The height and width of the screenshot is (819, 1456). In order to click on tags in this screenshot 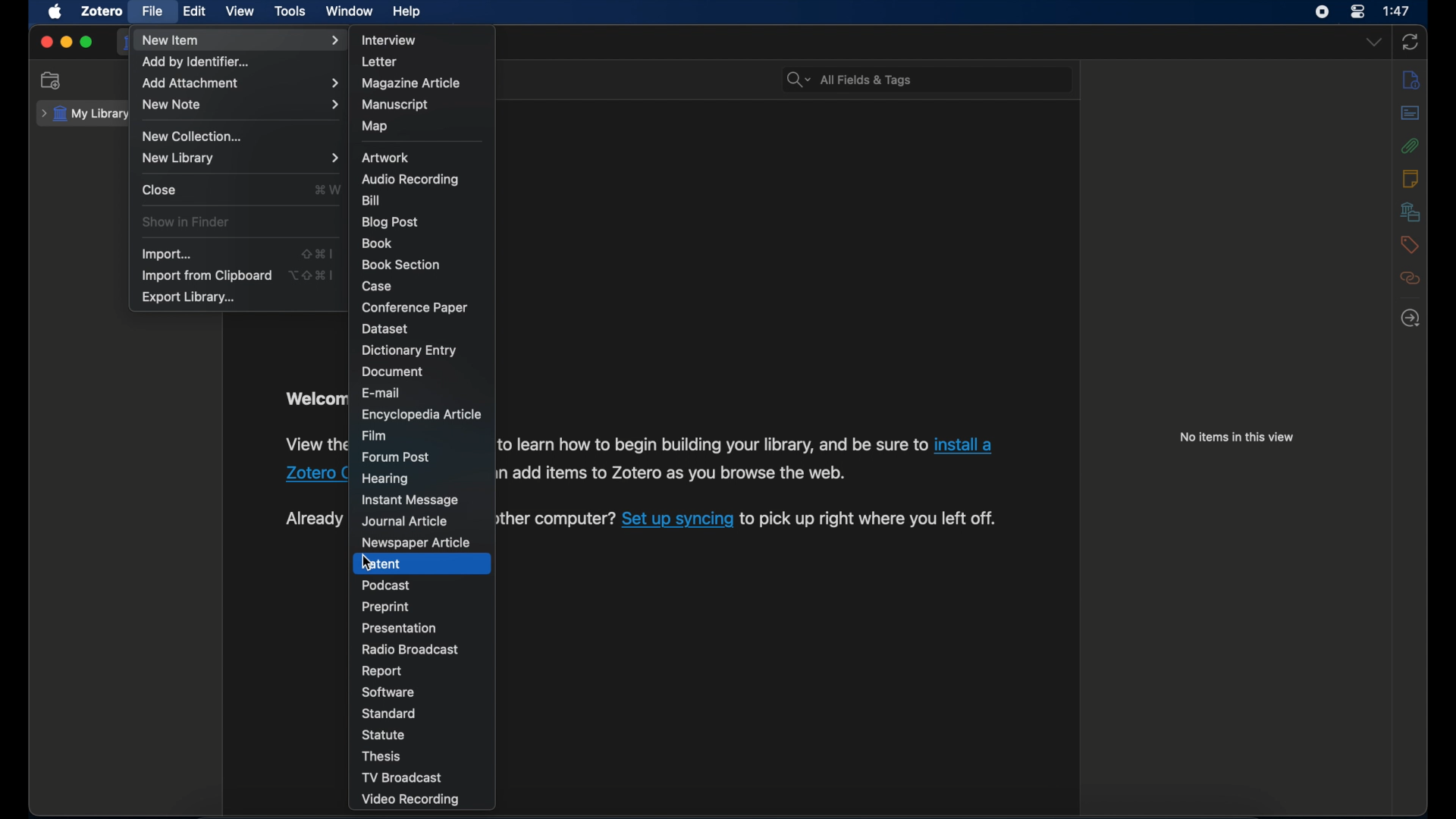, I will do `click(1410, 244)`.